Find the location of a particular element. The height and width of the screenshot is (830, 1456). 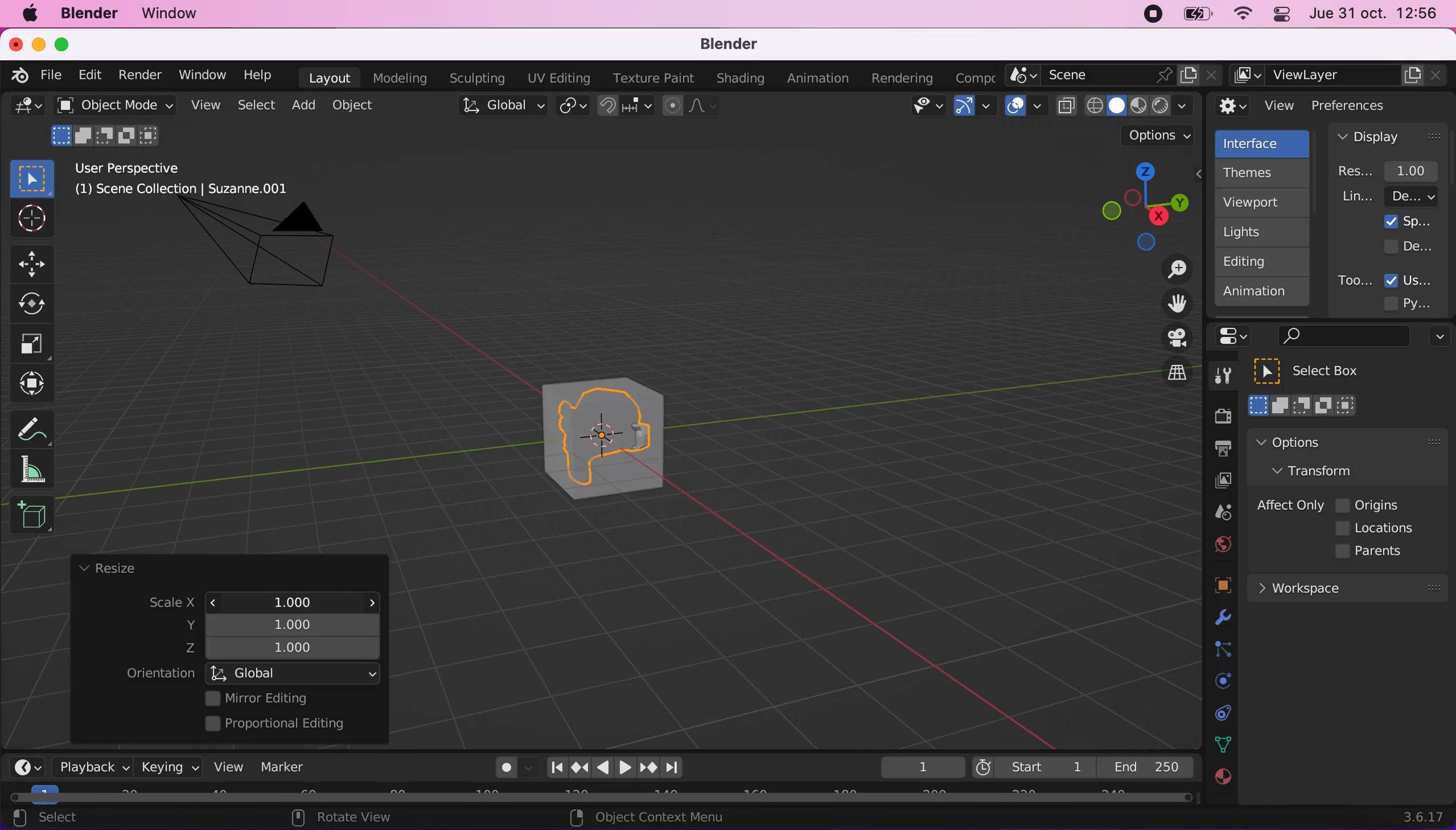

splash screen is located at coordinates (1408, 221).